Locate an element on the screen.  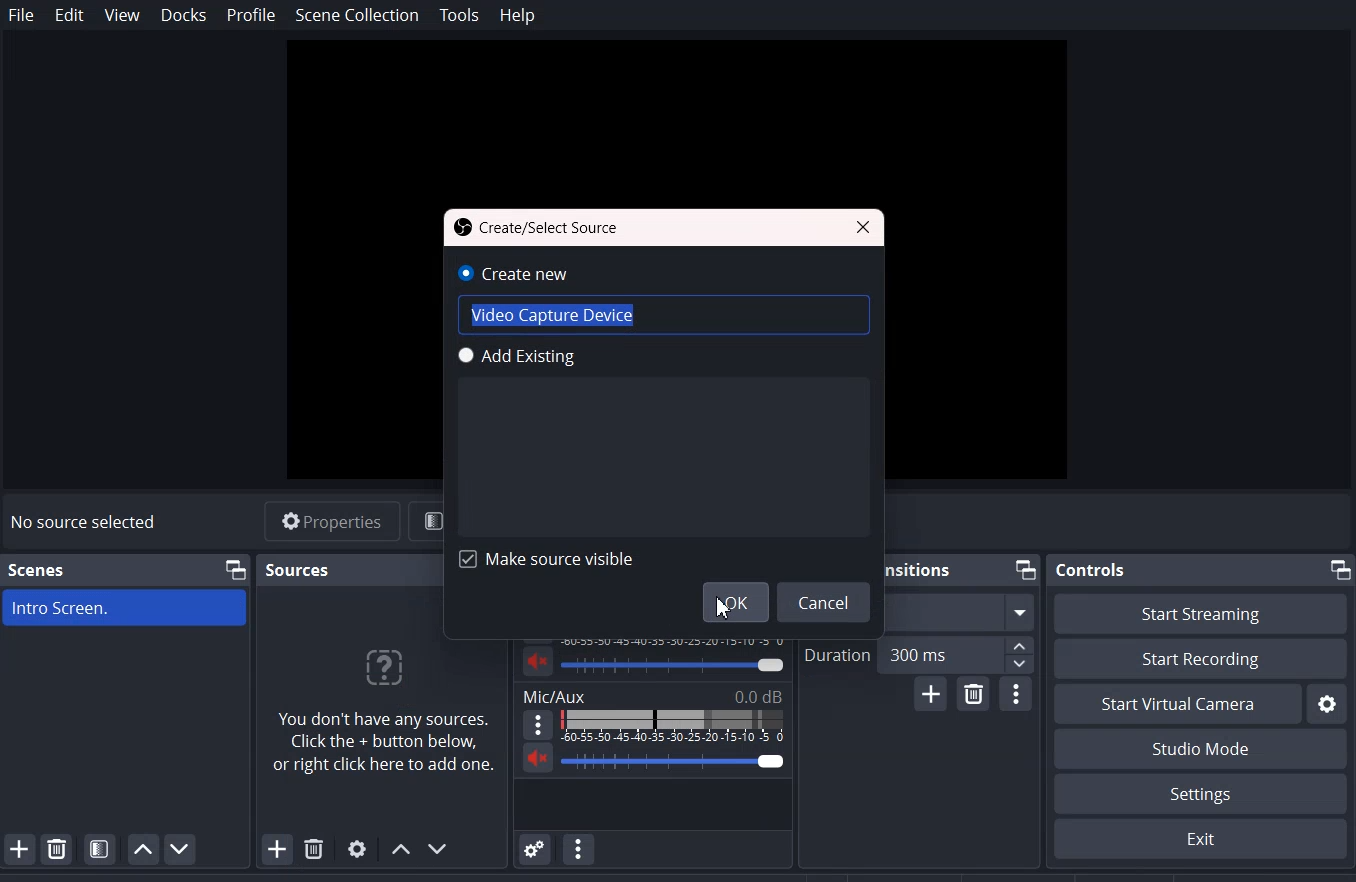
Settings is located at coordinates (1327, 703).